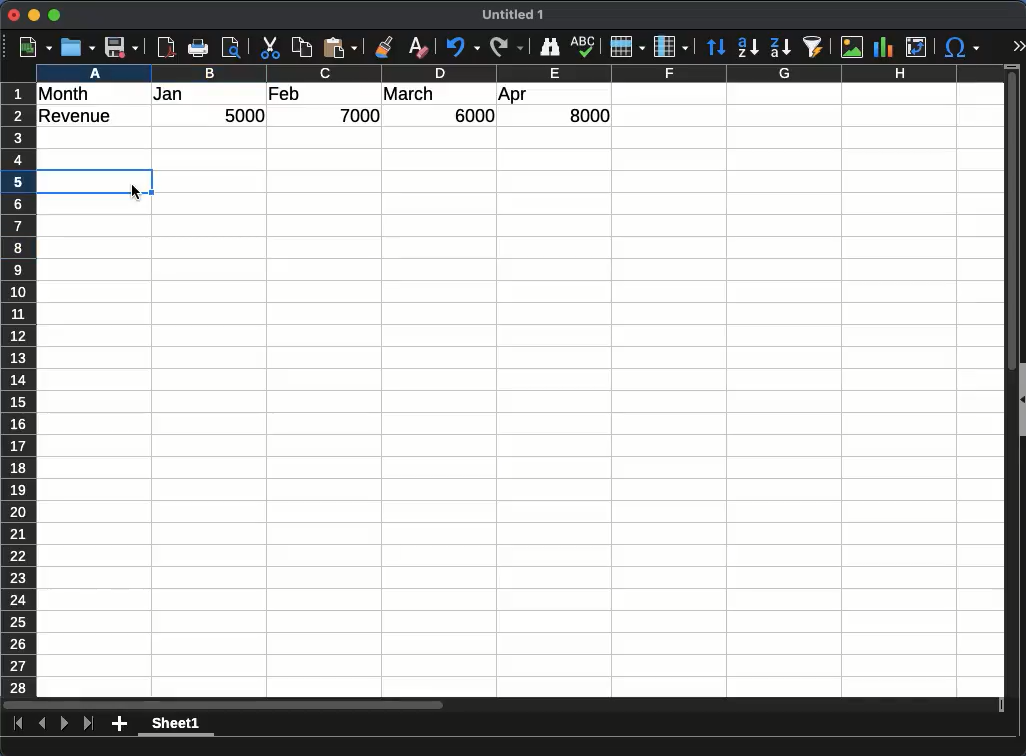  What do you see at coordinates (198, 47) in the screenshot?
I see `print` at bounding box center [198, 47].